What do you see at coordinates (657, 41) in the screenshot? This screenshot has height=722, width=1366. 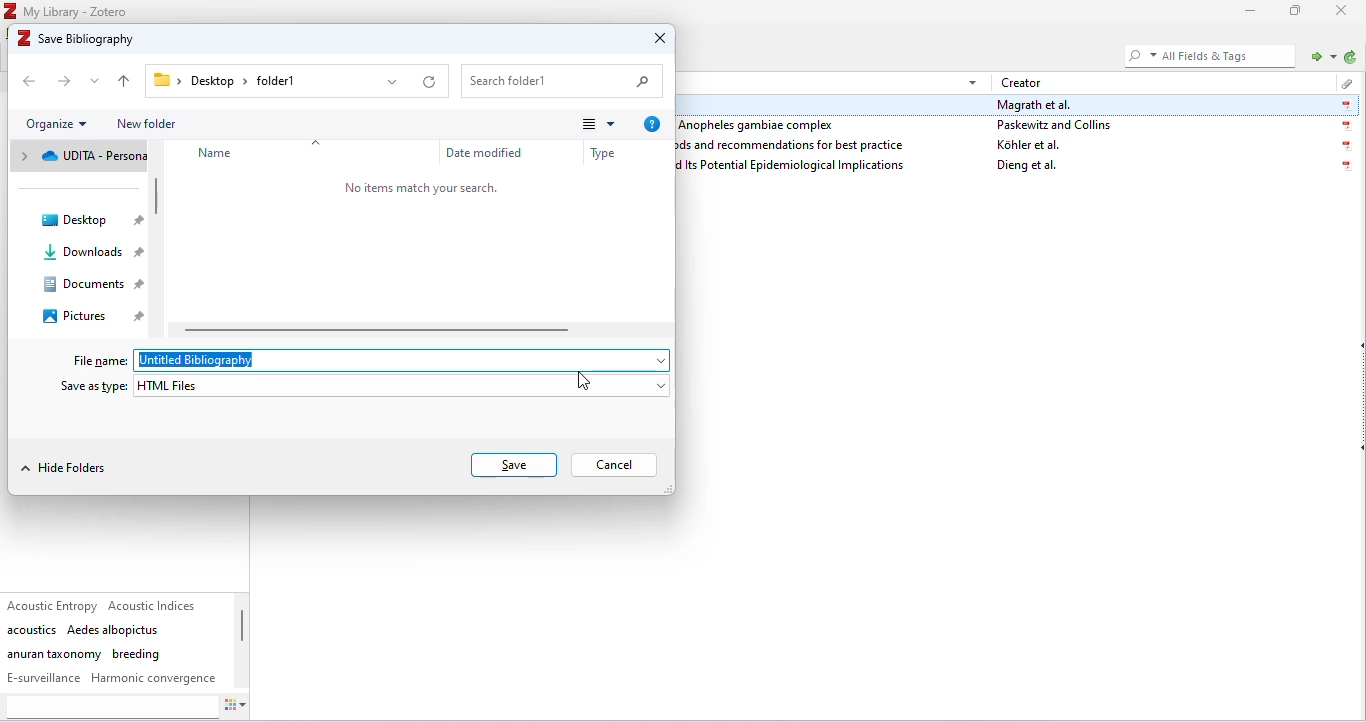 I see `close` at bounding box center [657, 41].